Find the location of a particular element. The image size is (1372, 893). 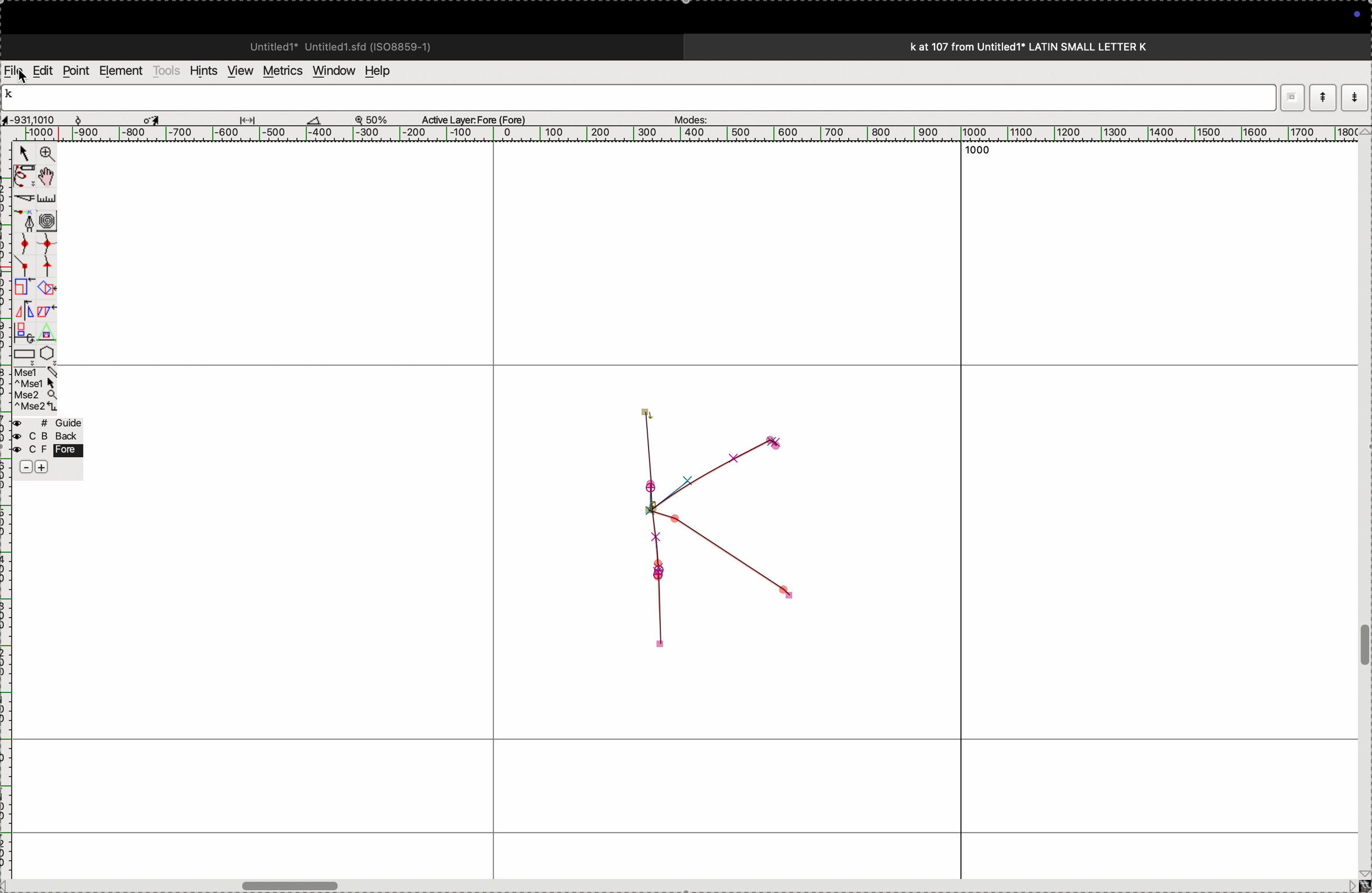

fill is located at coordinates (48, 287).